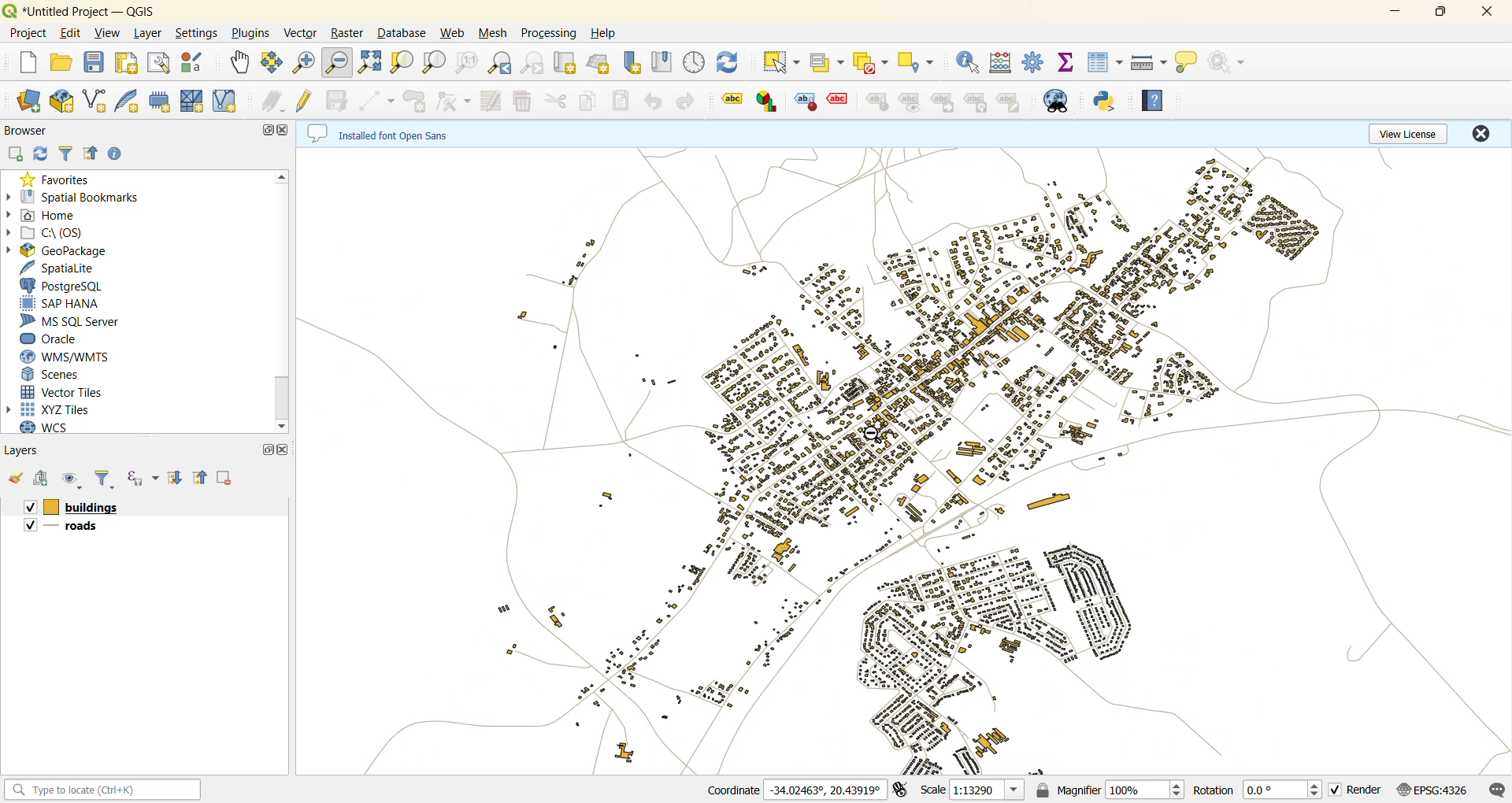 The height and width of the screenshot is (803, 1512). I want to click on status bar, so click(105, 791).